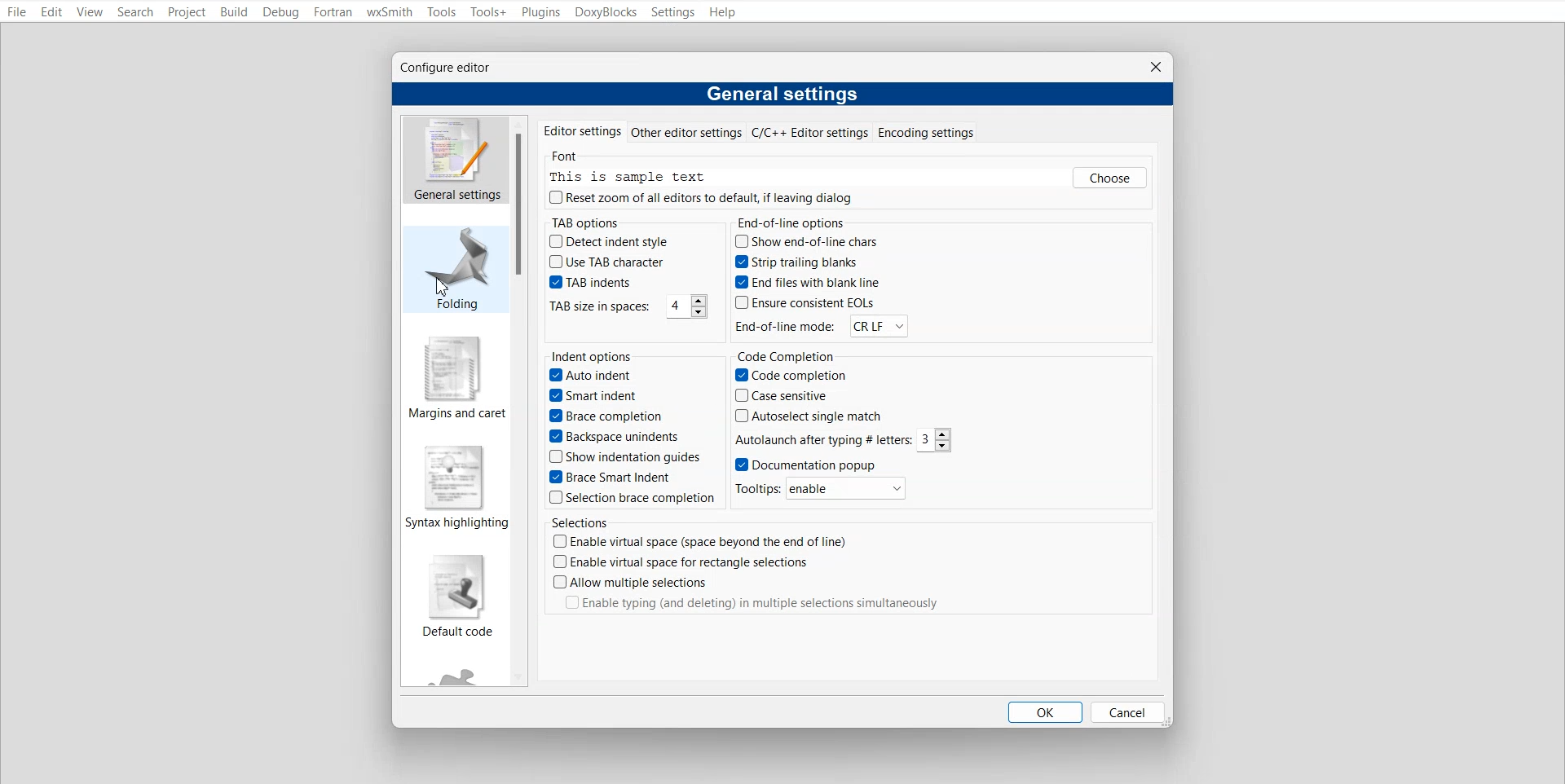 The width and height of the screenshot is (1565, 784). I want to click on Show end-of-line chars, so click(805, 240).